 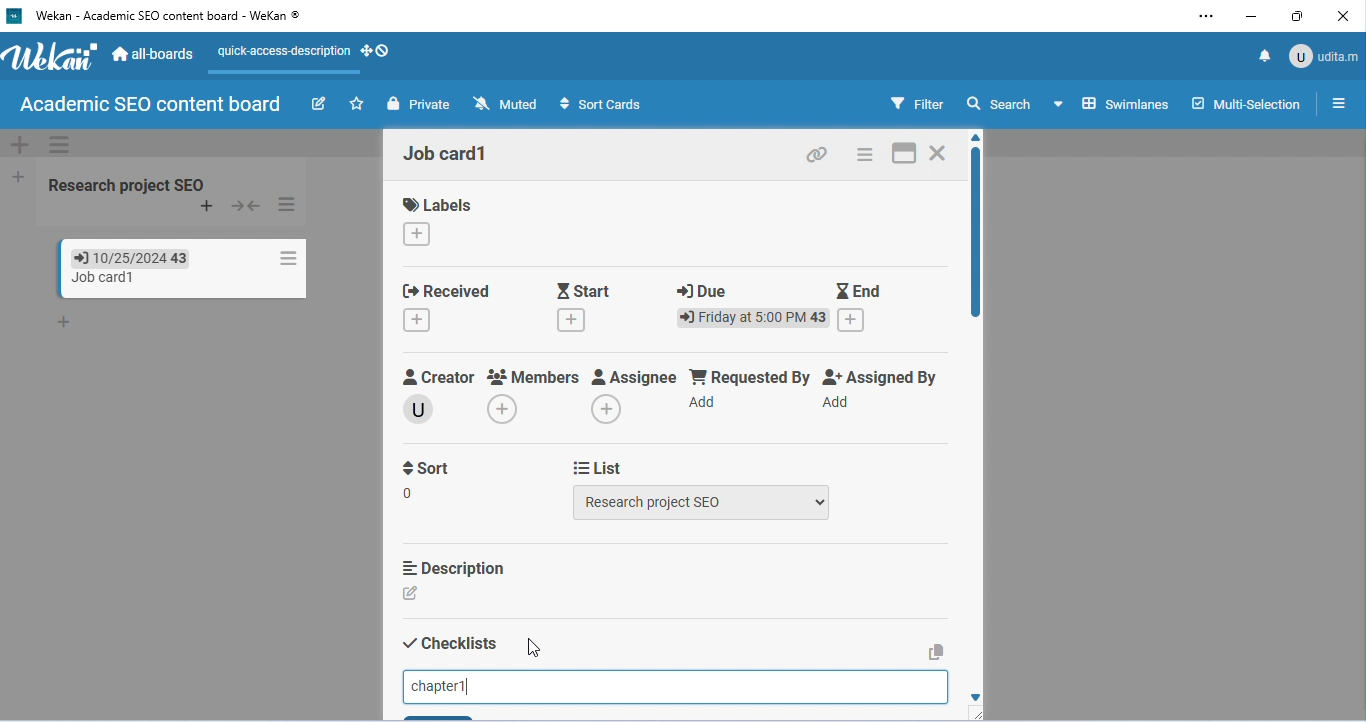 What do you see at coordinates (450, 154) in the screenshot?
I see `card name` at bounding box center [450, 154].